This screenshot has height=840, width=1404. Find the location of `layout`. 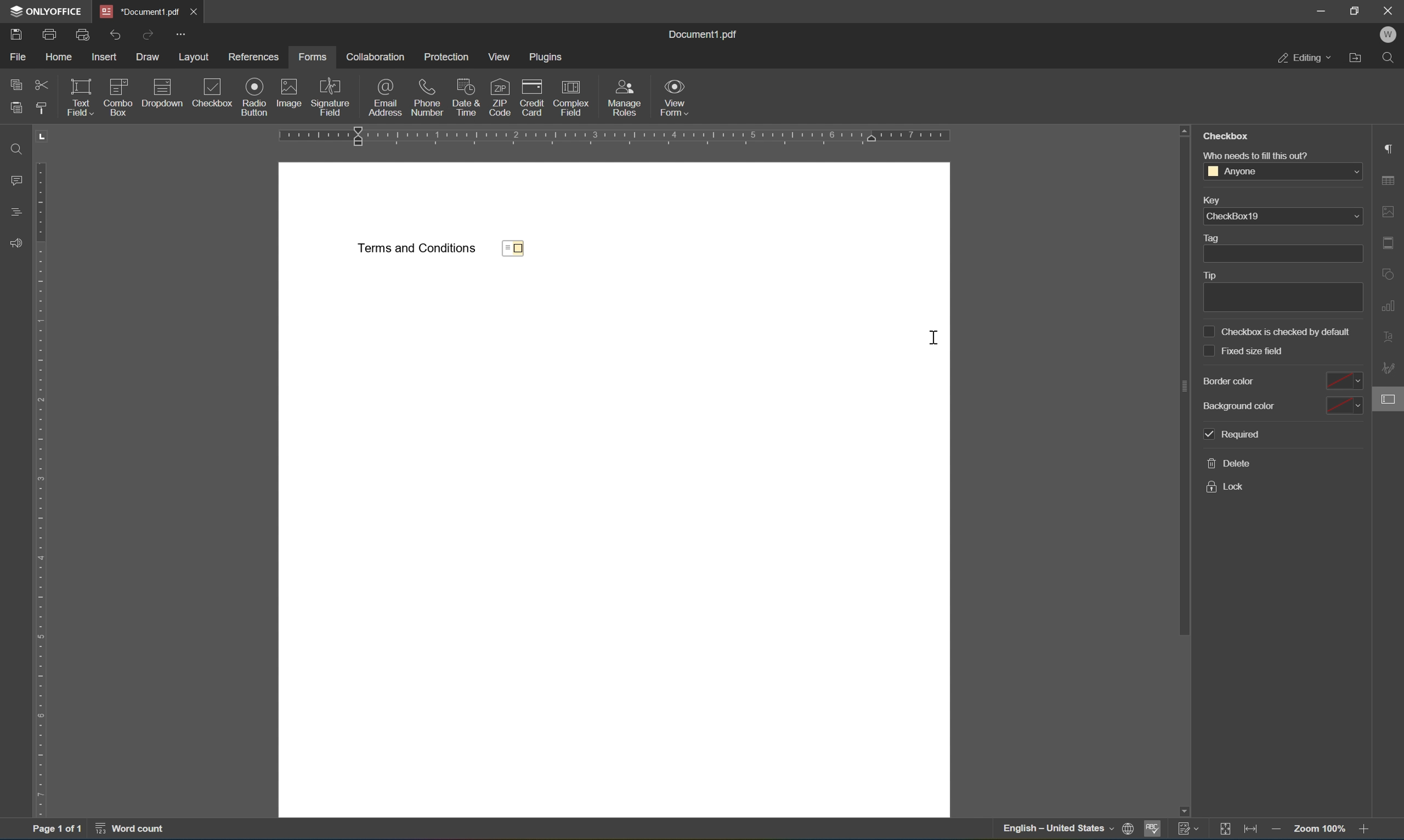

layout is located at coordinates (194, 57).